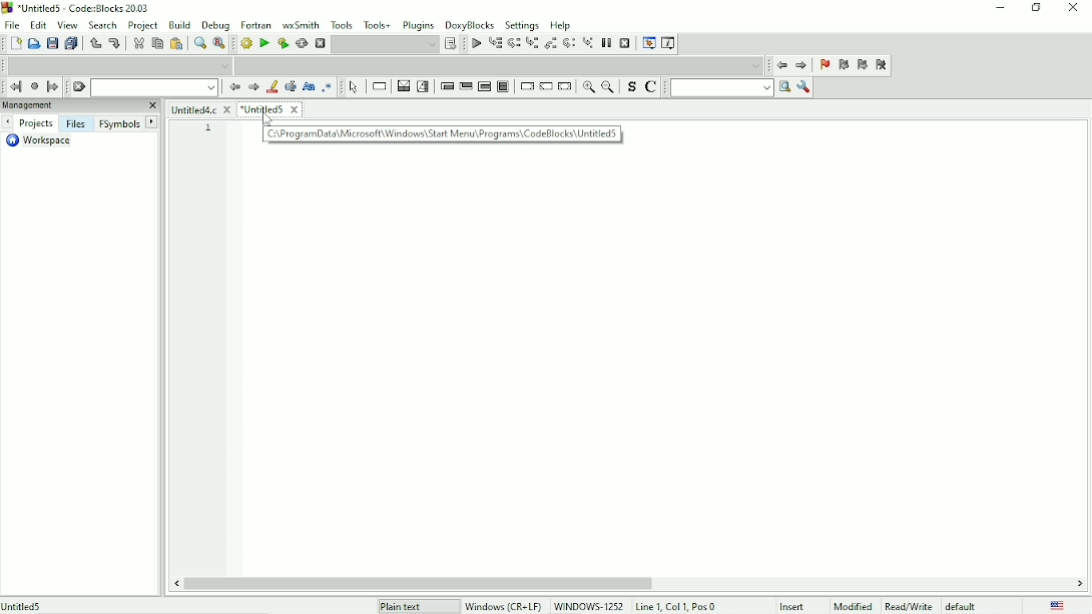 The width and height of the screenshot is (1092, 614). Describe the element at coordinates (425, 584) in the screenshot. I see `Horizontal scrollbar` at that location.